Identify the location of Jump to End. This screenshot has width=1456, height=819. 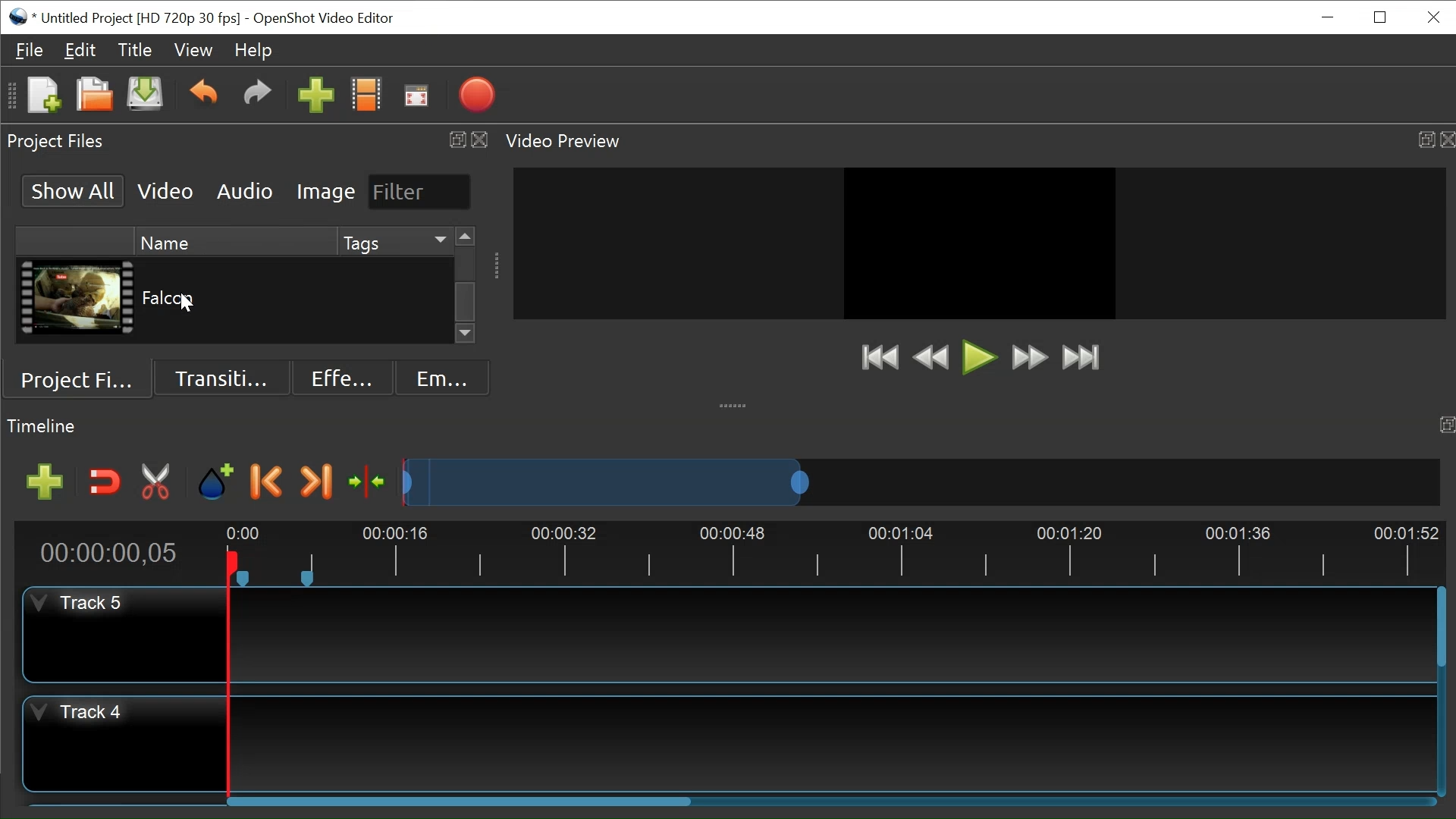
(1081, 359).